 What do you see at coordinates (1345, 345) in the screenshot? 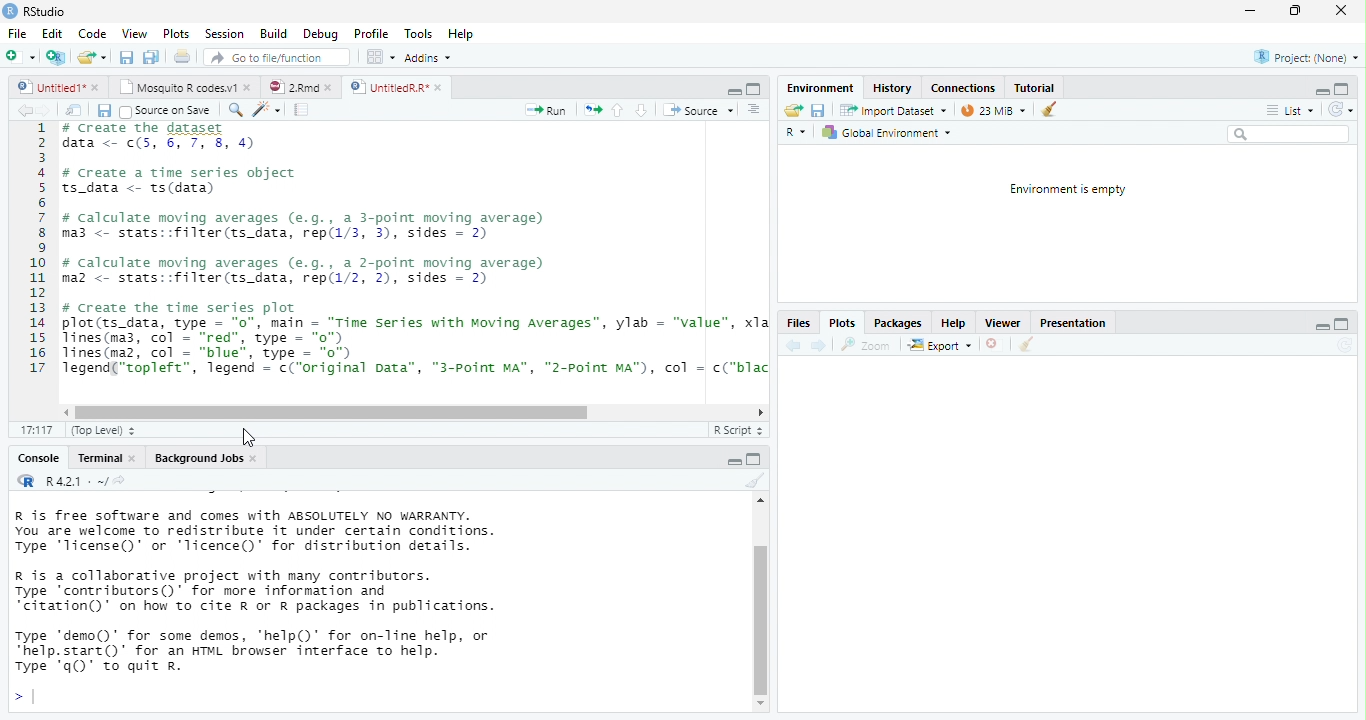
I see `Refresh` at bounding box center [1345, 345].